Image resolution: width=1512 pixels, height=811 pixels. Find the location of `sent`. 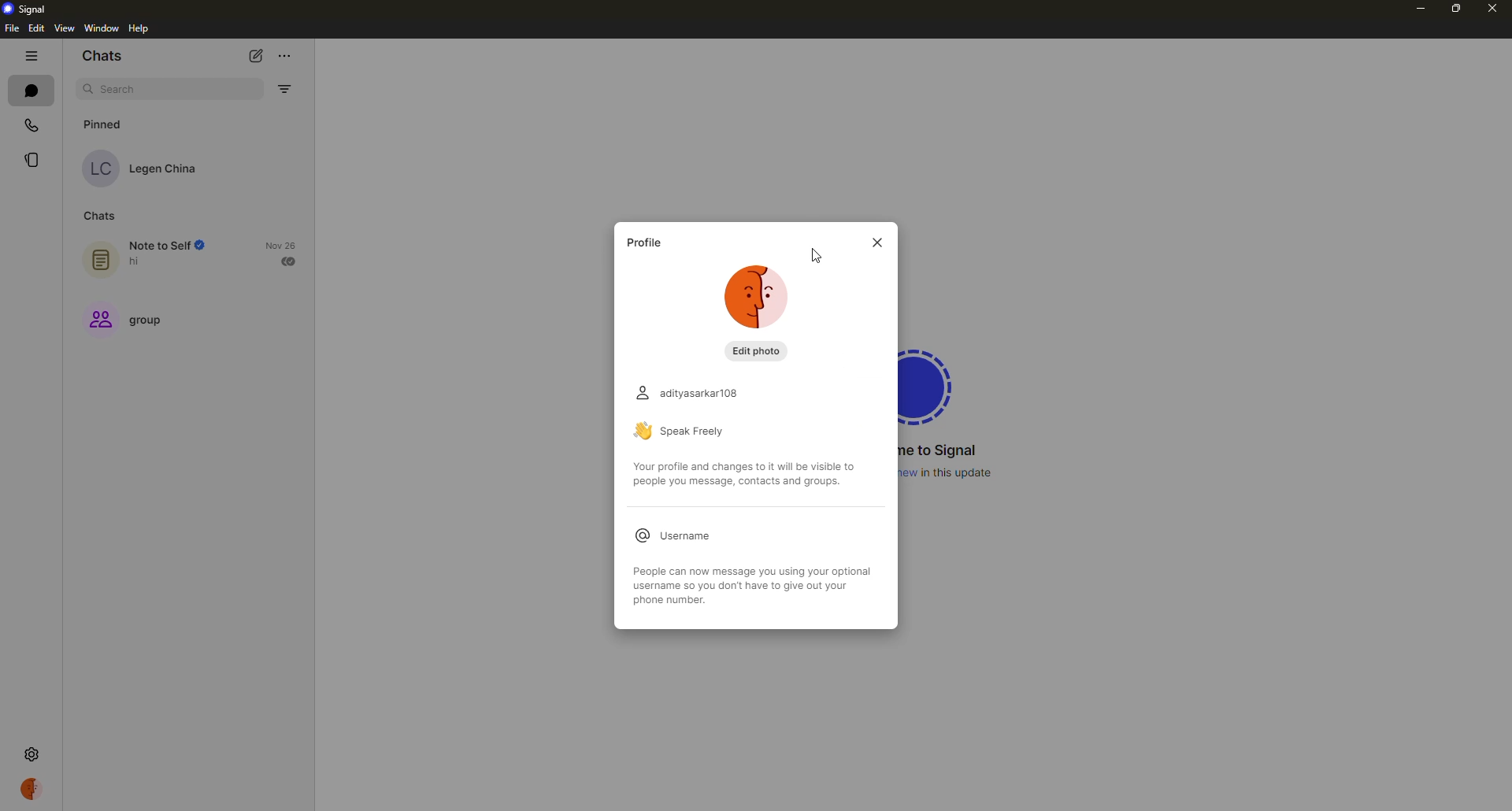

sent is located at coordinates (291, 261).